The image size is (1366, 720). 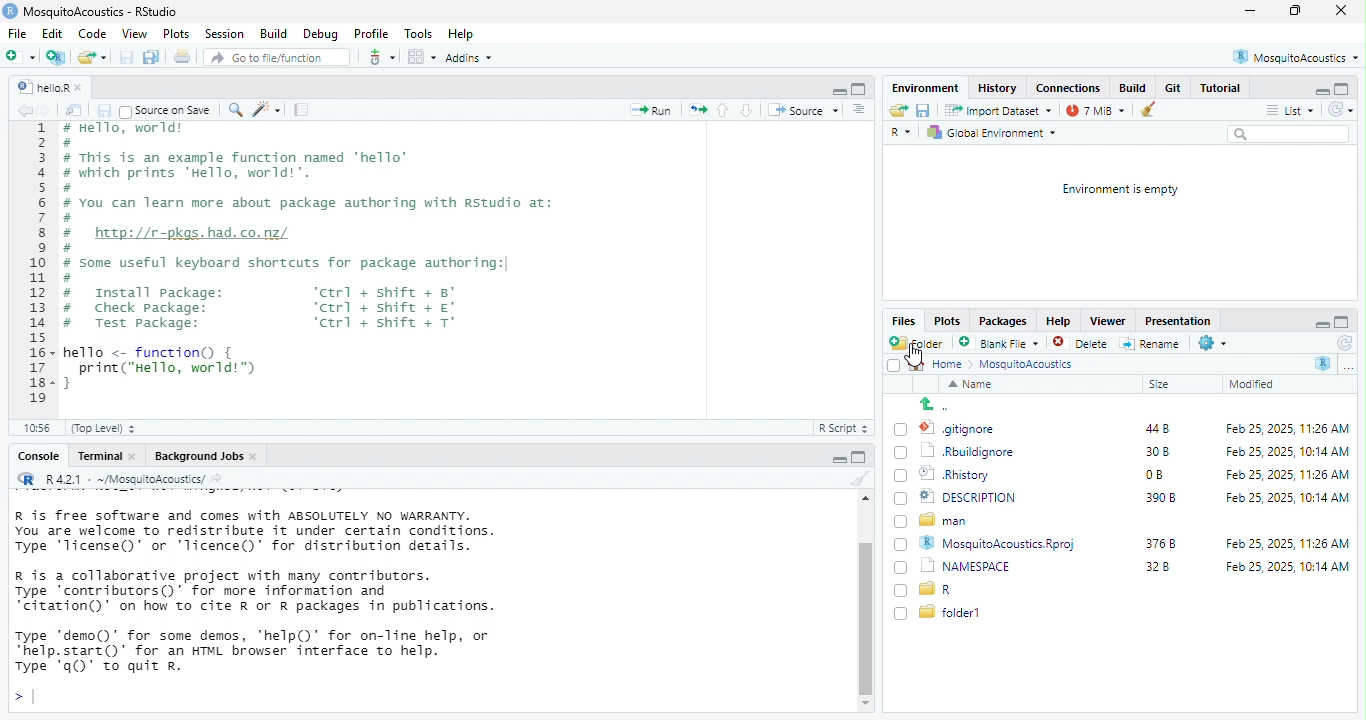 I want to click on  Rhistory, so click(x=955, y=474).